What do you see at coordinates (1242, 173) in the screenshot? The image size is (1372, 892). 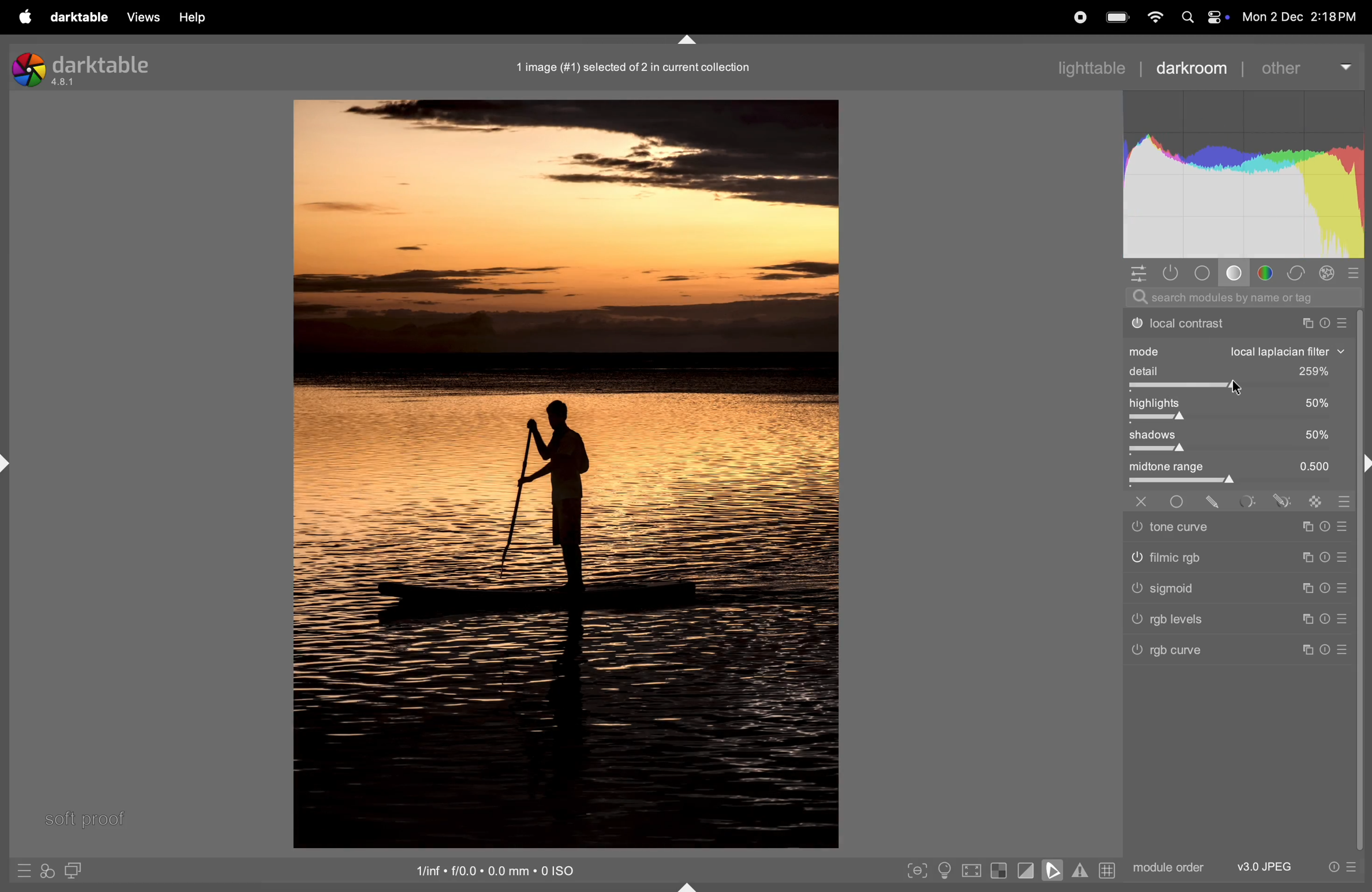 I see `histogram` at bounding box center [1242, 173].